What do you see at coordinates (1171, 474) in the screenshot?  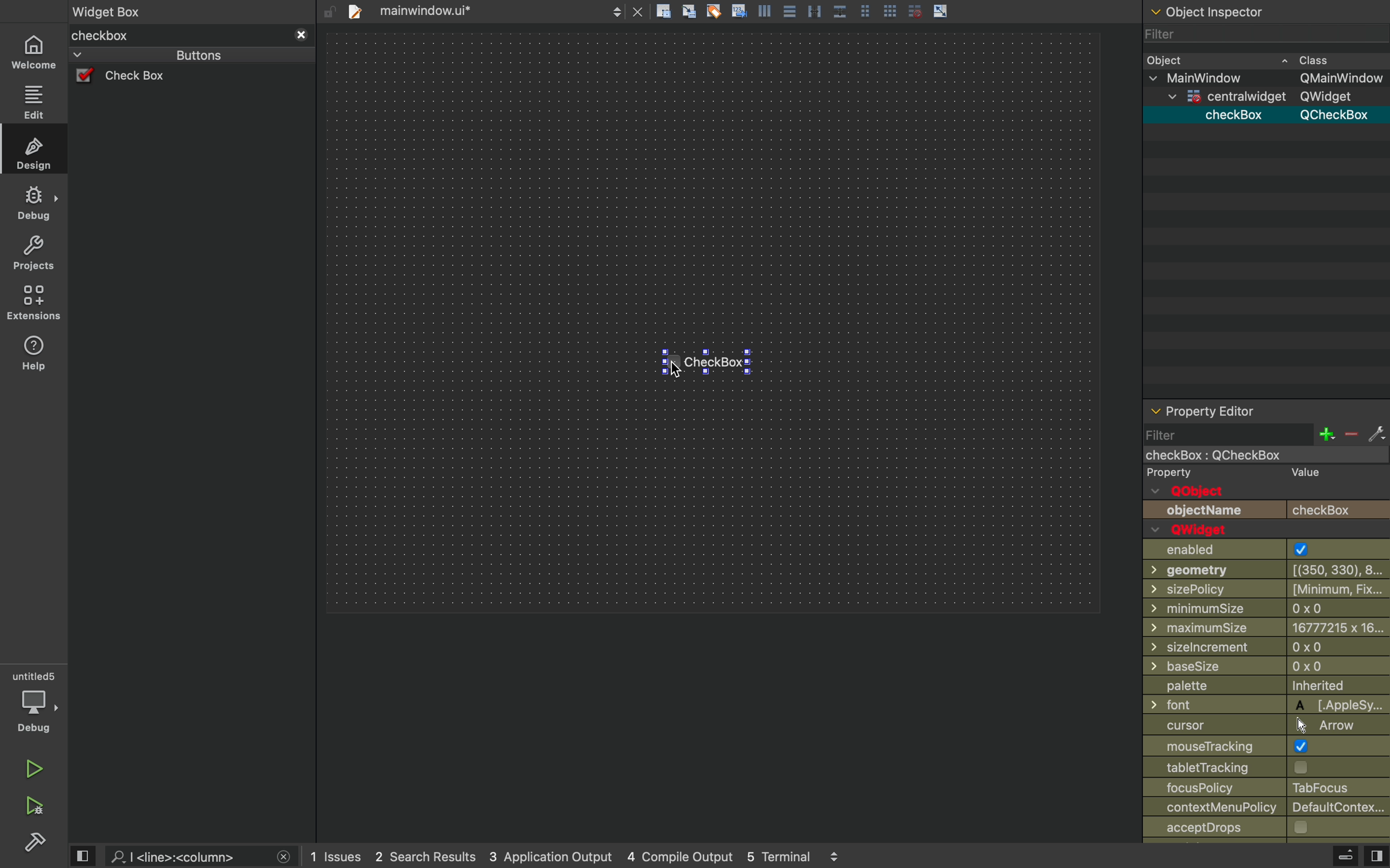 I see `property` at bounding box center [1171, 474].